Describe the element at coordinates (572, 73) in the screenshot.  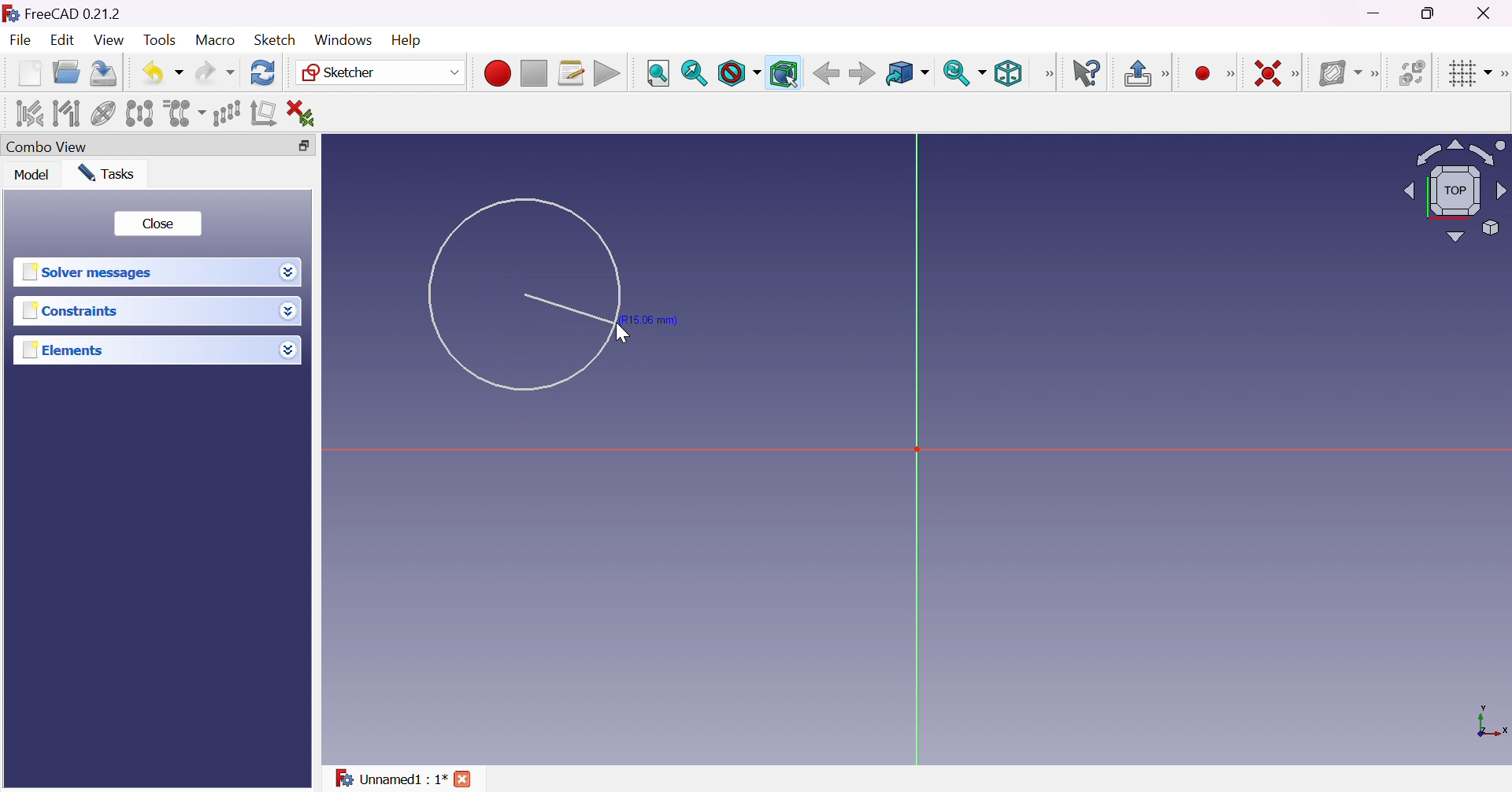
I see `Macros` at that location.